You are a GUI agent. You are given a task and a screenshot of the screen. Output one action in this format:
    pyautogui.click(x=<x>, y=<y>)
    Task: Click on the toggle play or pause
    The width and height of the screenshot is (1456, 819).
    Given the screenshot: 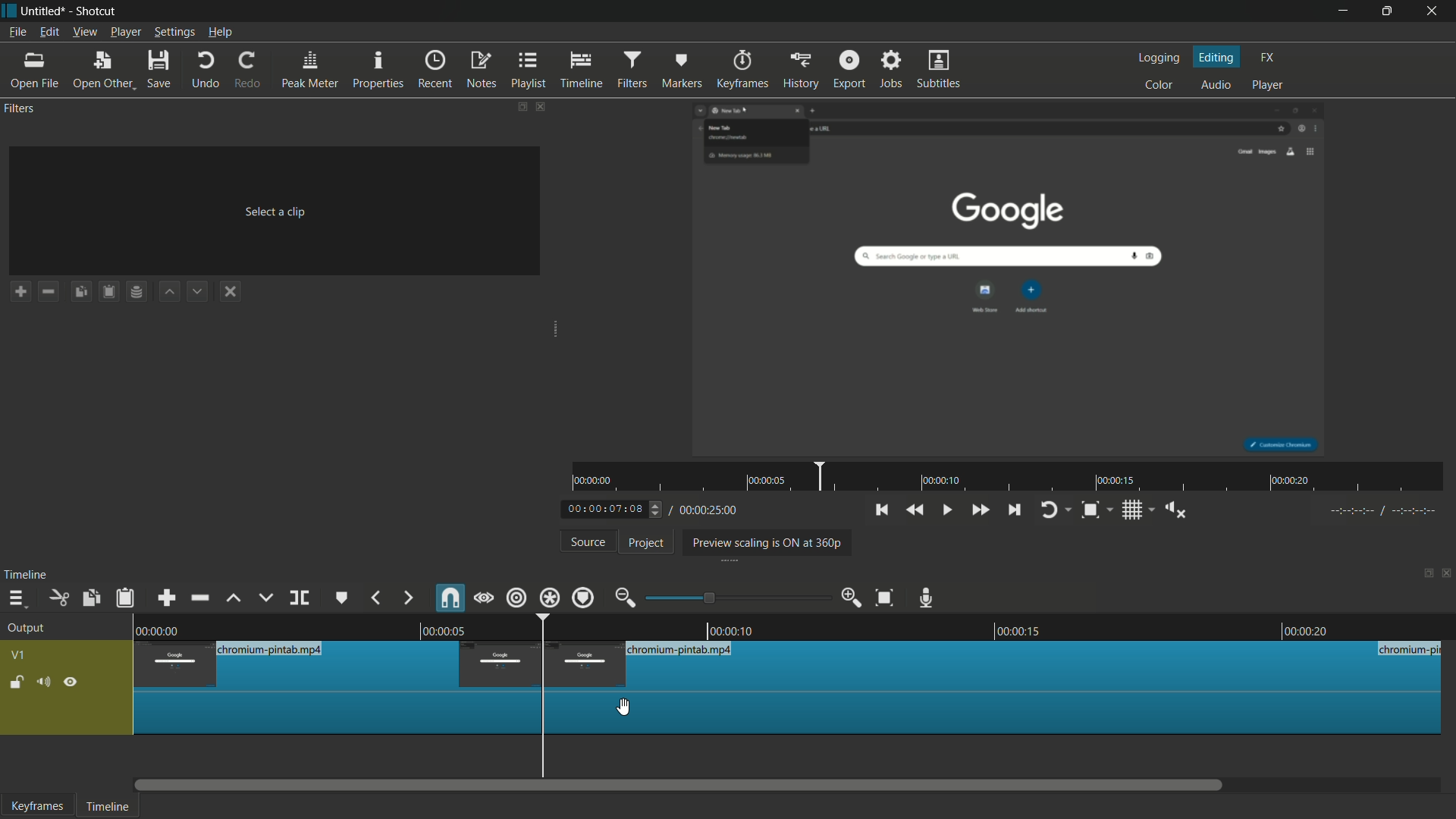 What is the action you would take?
    pyautogui.click(x=946, y=509)
    